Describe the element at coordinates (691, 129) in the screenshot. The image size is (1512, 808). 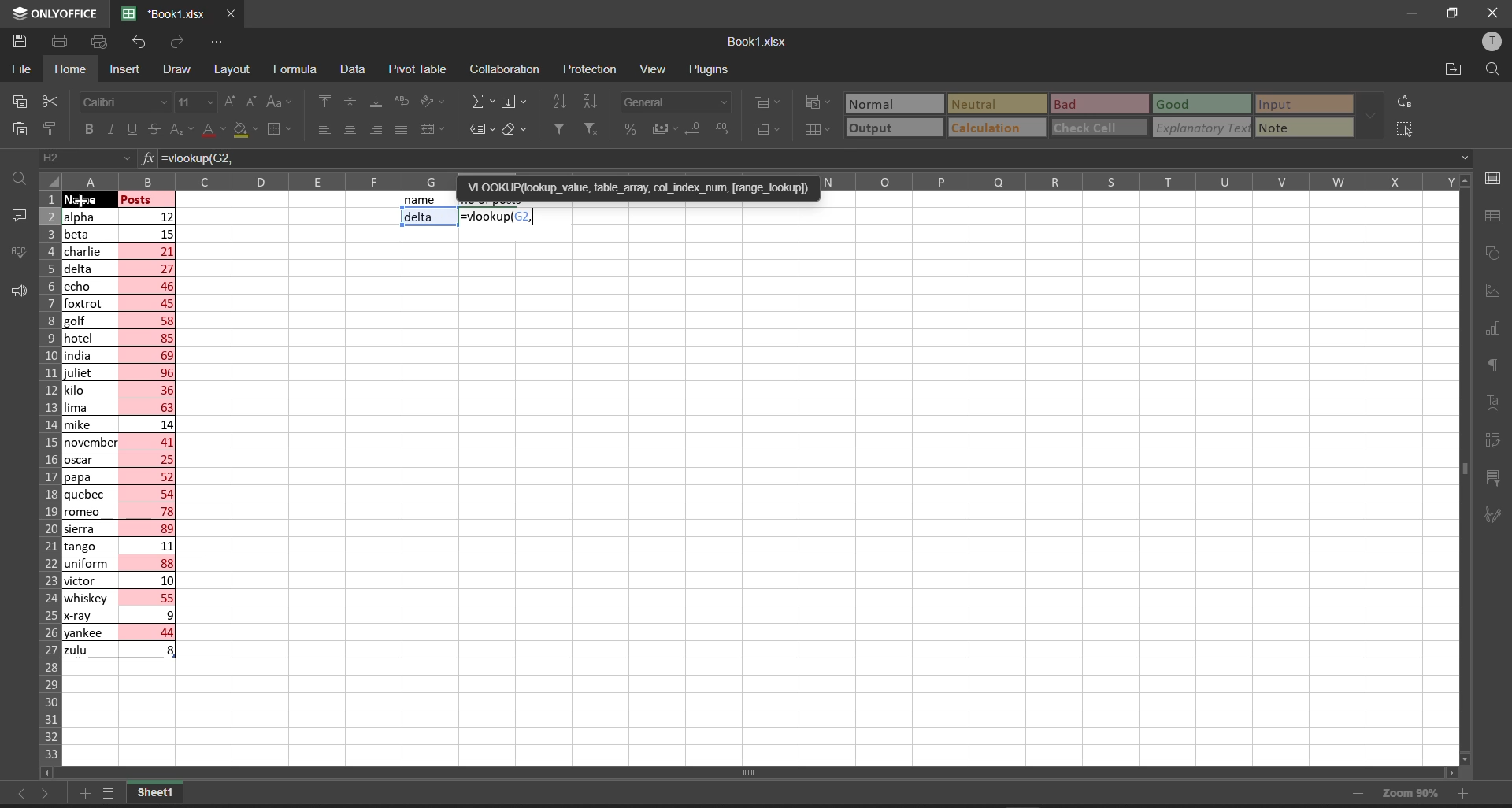
I see `decrease decimal` at that location.